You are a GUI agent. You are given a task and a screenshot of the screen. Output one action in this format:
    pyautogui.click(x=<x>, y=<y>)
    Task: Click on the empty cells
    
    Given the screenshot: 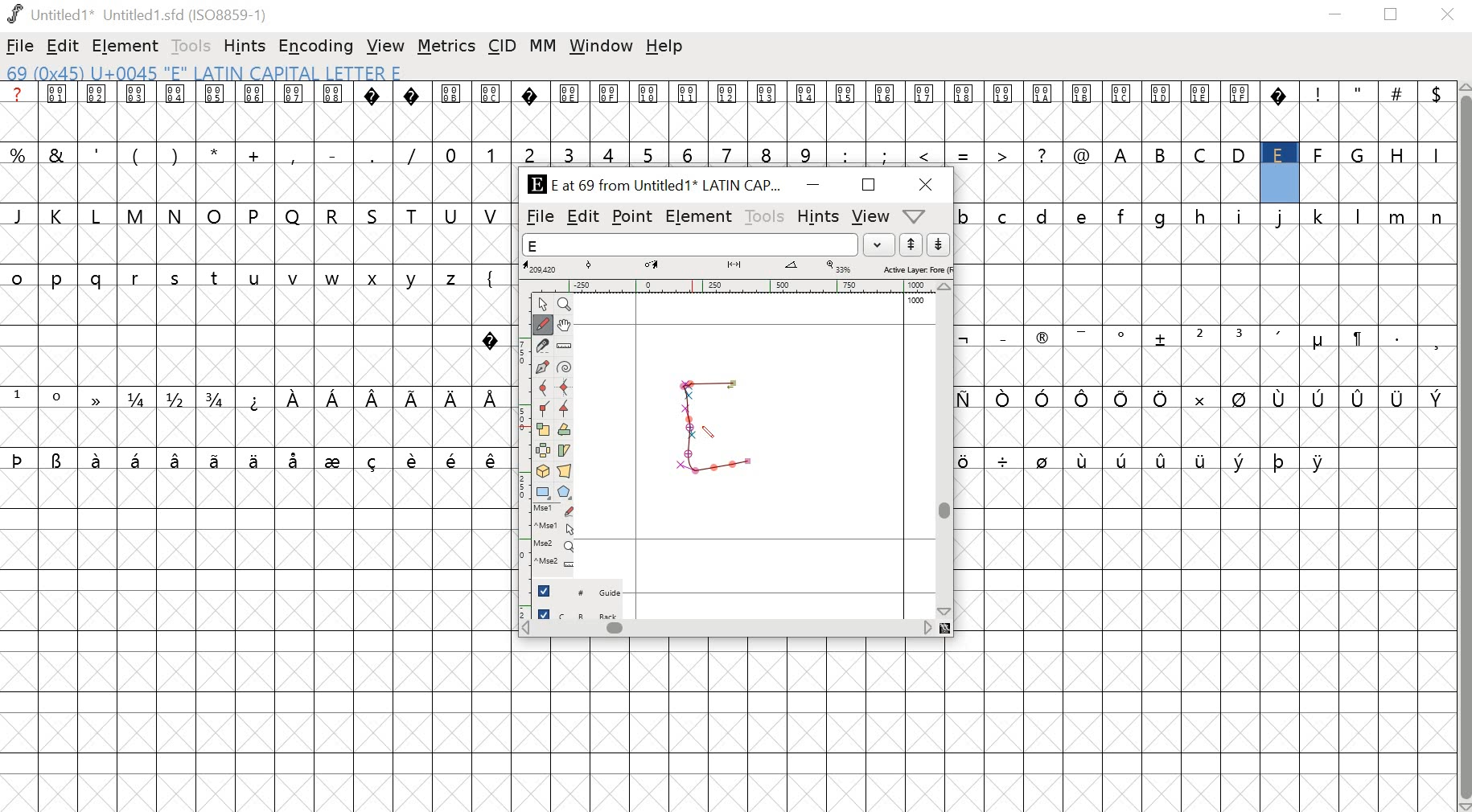 What is the action you would take?
    pyautogui.click(x=1209, y=276)
    